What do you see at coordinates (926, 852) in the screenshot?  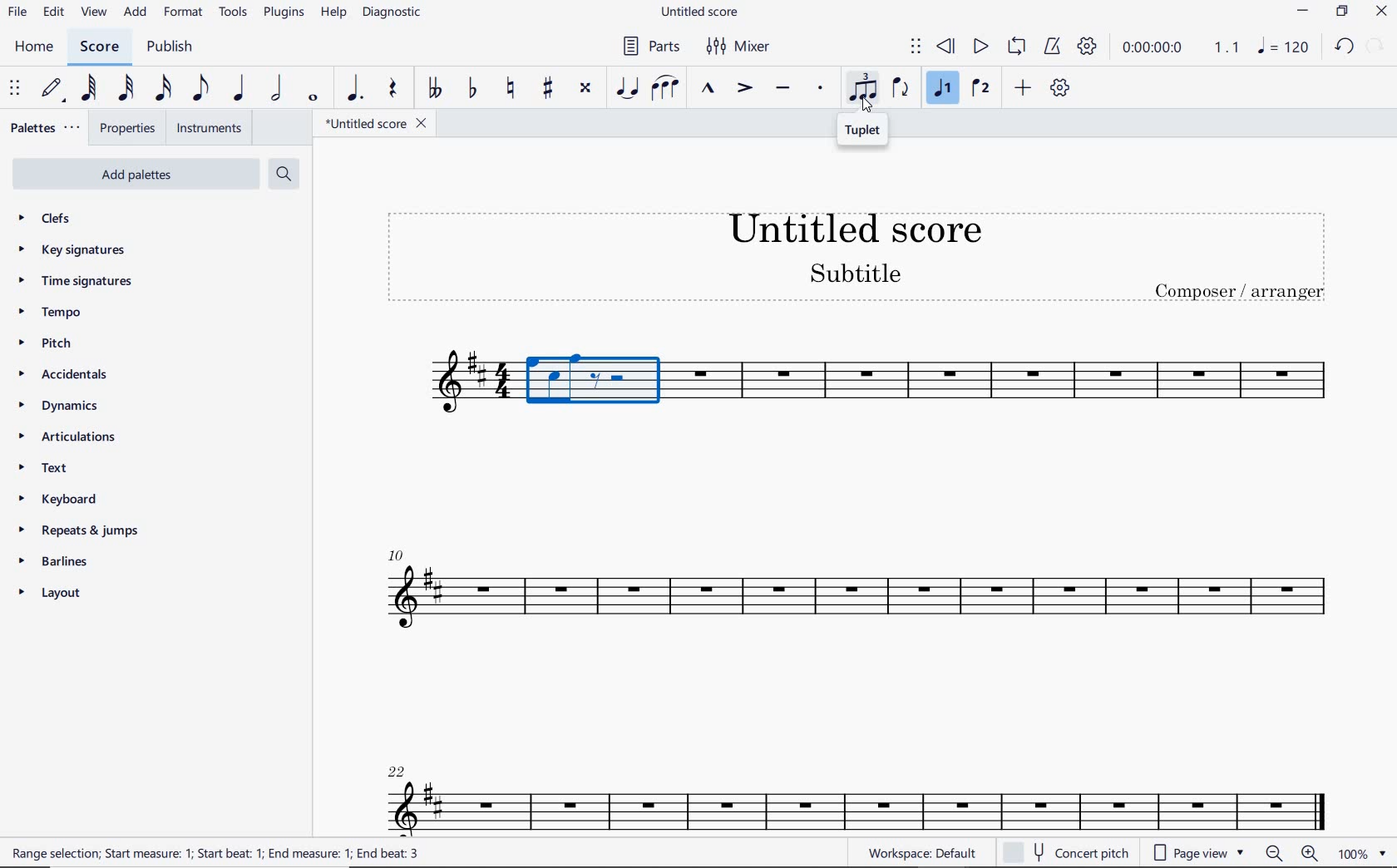 I see `WORKSPACE: DEFAULT` at bounding box center [926, 852].